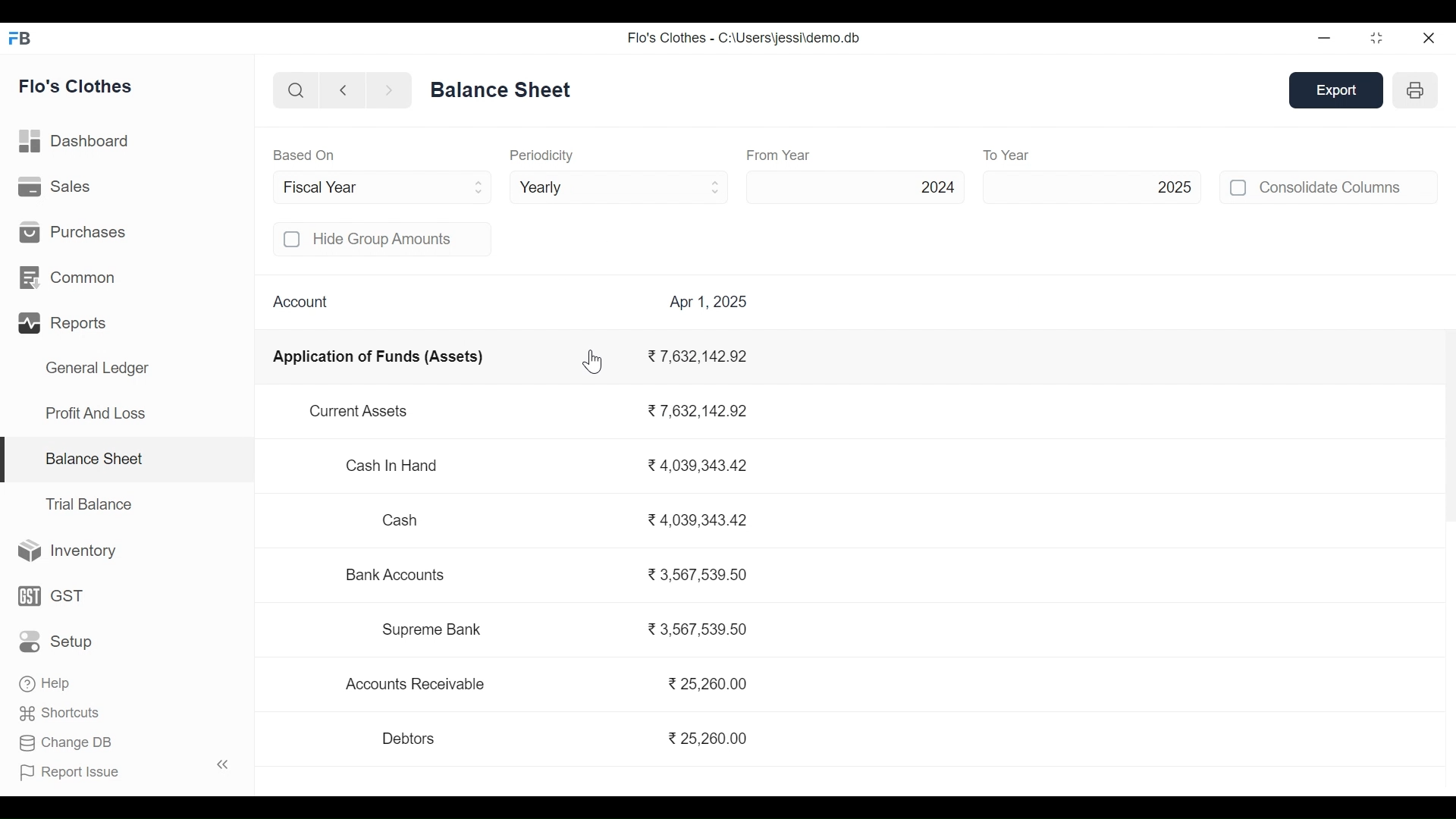  What do you see at coordinates (1326, 37) in the screenshot?
I see `minimise` at bounding box center [1326, 37].